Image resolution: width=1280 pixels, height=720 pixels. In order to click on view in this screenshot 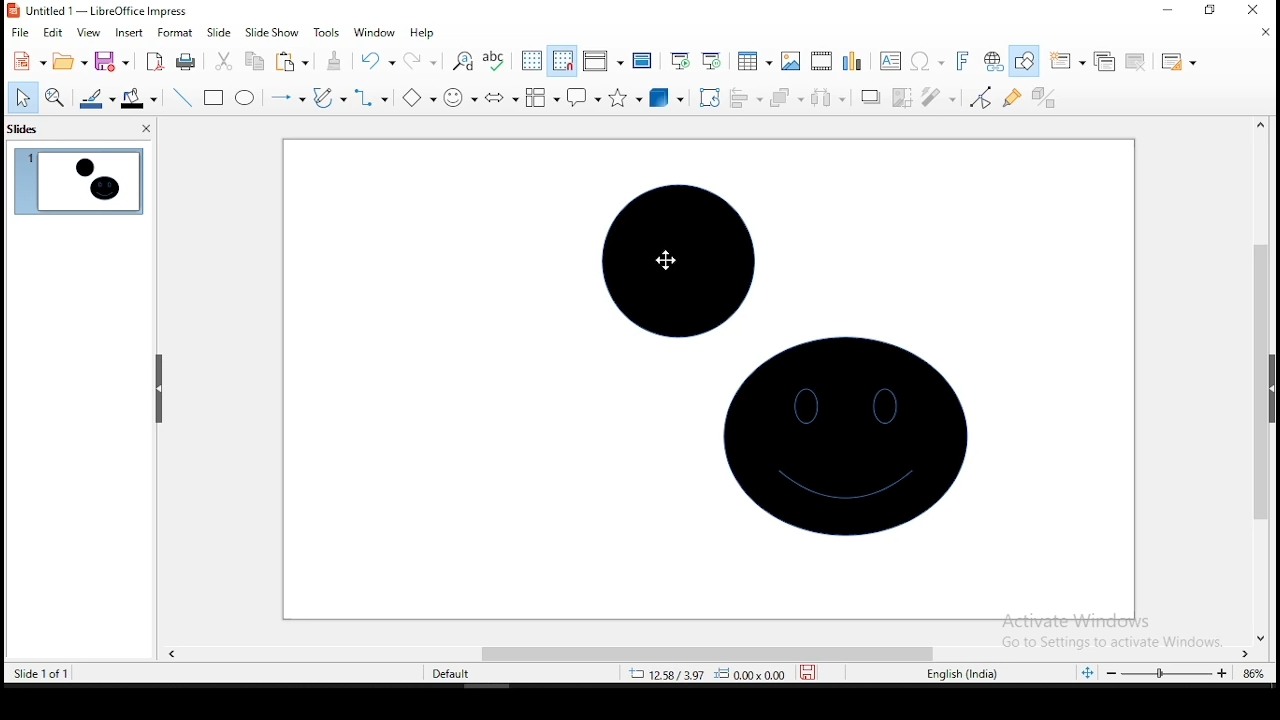, I will do `click(89, 34)`.